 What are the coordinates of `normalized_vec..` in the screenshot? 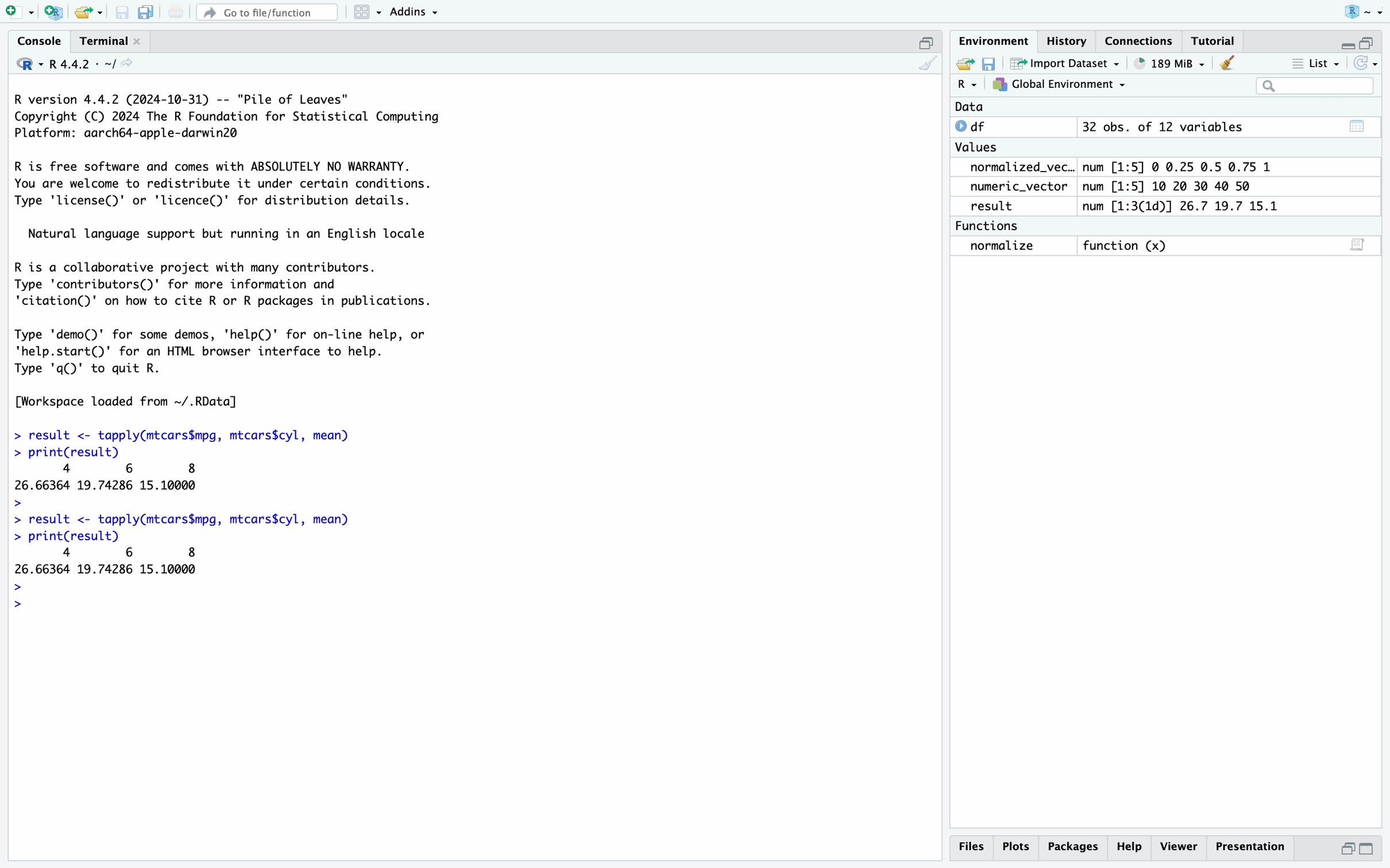 It's located at (1021, 167).